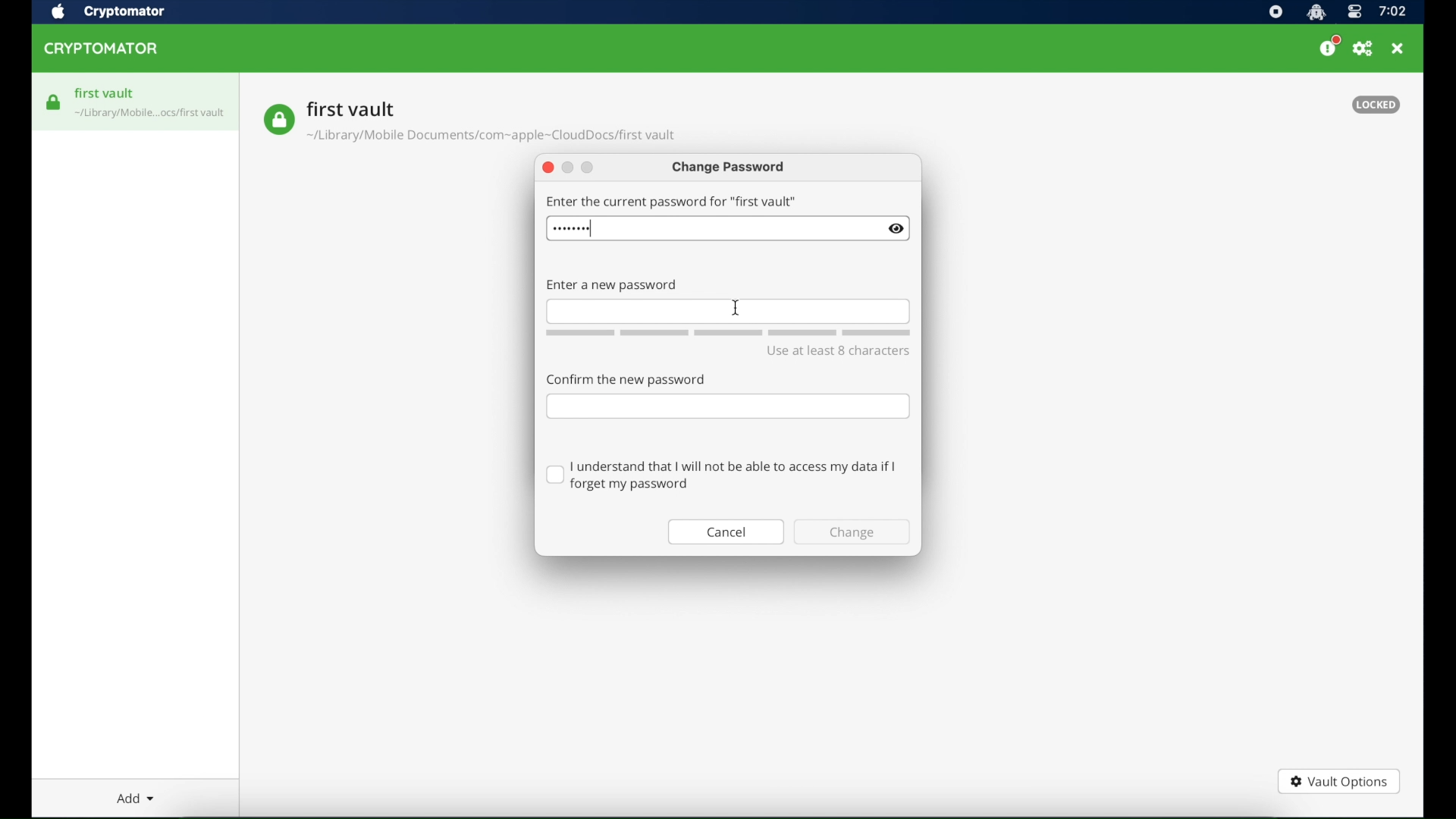 This screenshot has height=819, width=1456. What do you see at coordinates (548, 168) in the screenshot?
I see `close` at bounding box center [548, 168].